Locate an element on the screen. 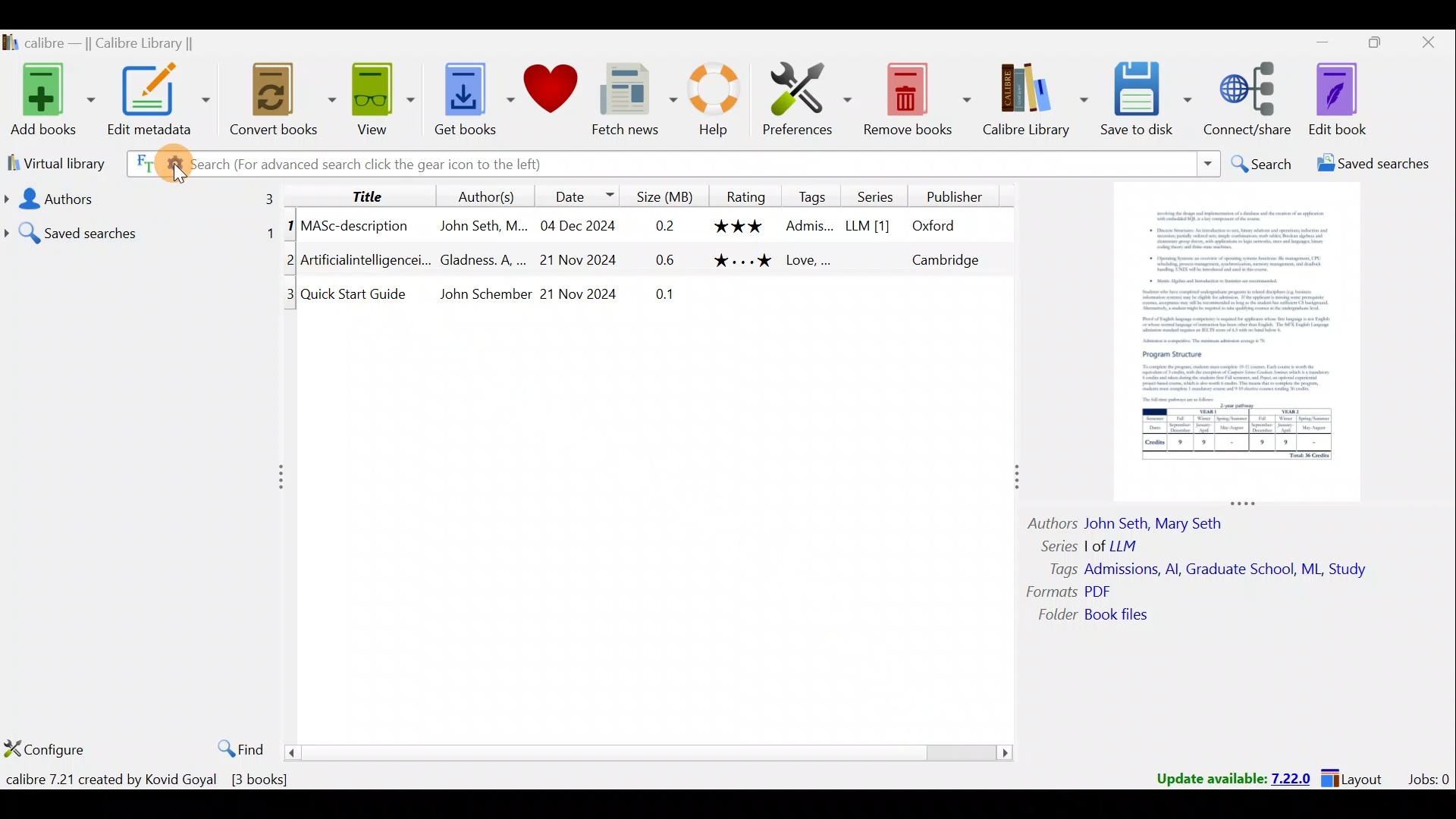 Image resolution: width=1456 pixels, height=819 pixels. Convert books is located at coordinates (284, 104).